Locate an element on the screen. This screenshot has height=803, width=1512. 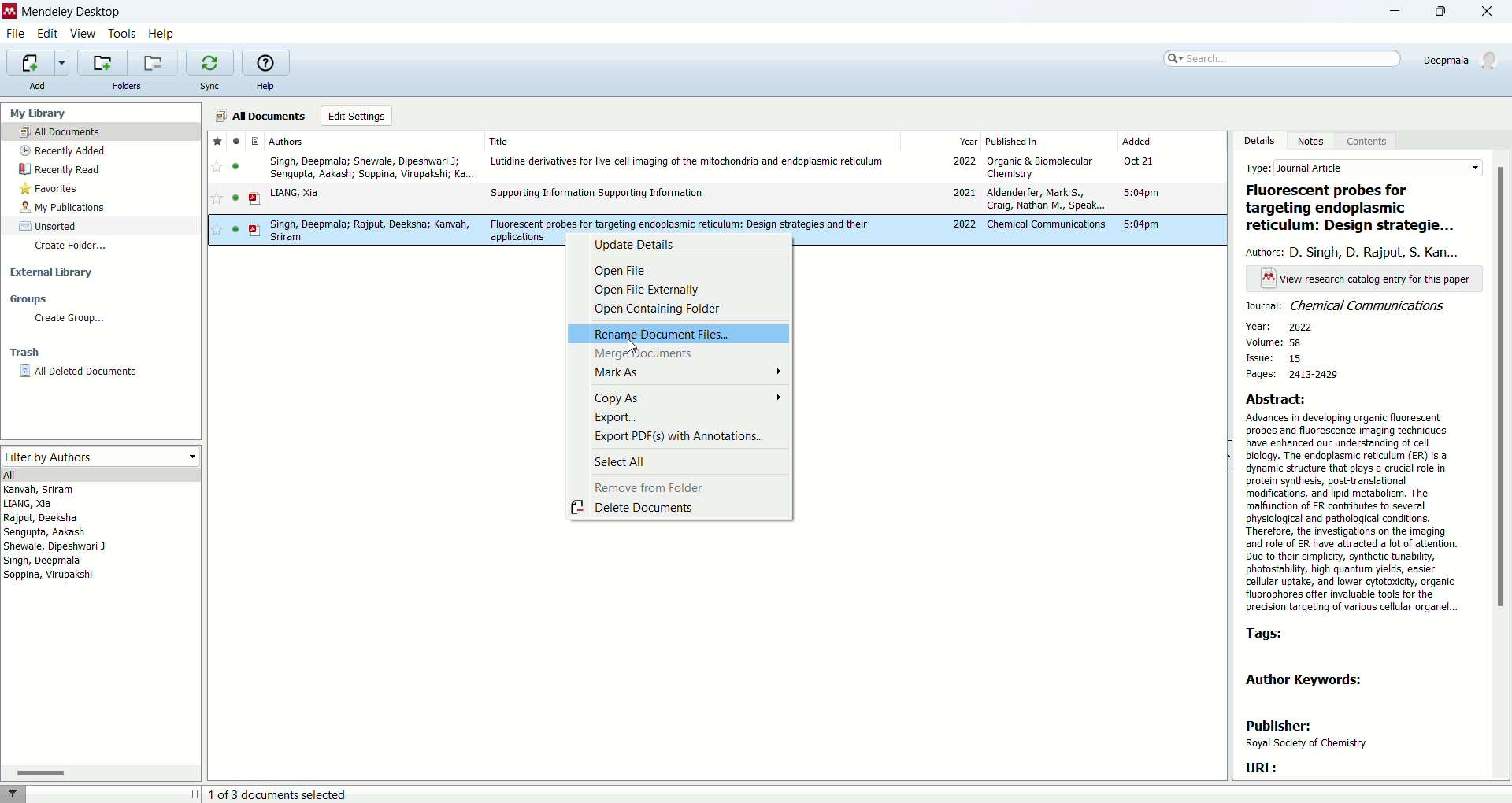
year is located at coordinates (942, 140).